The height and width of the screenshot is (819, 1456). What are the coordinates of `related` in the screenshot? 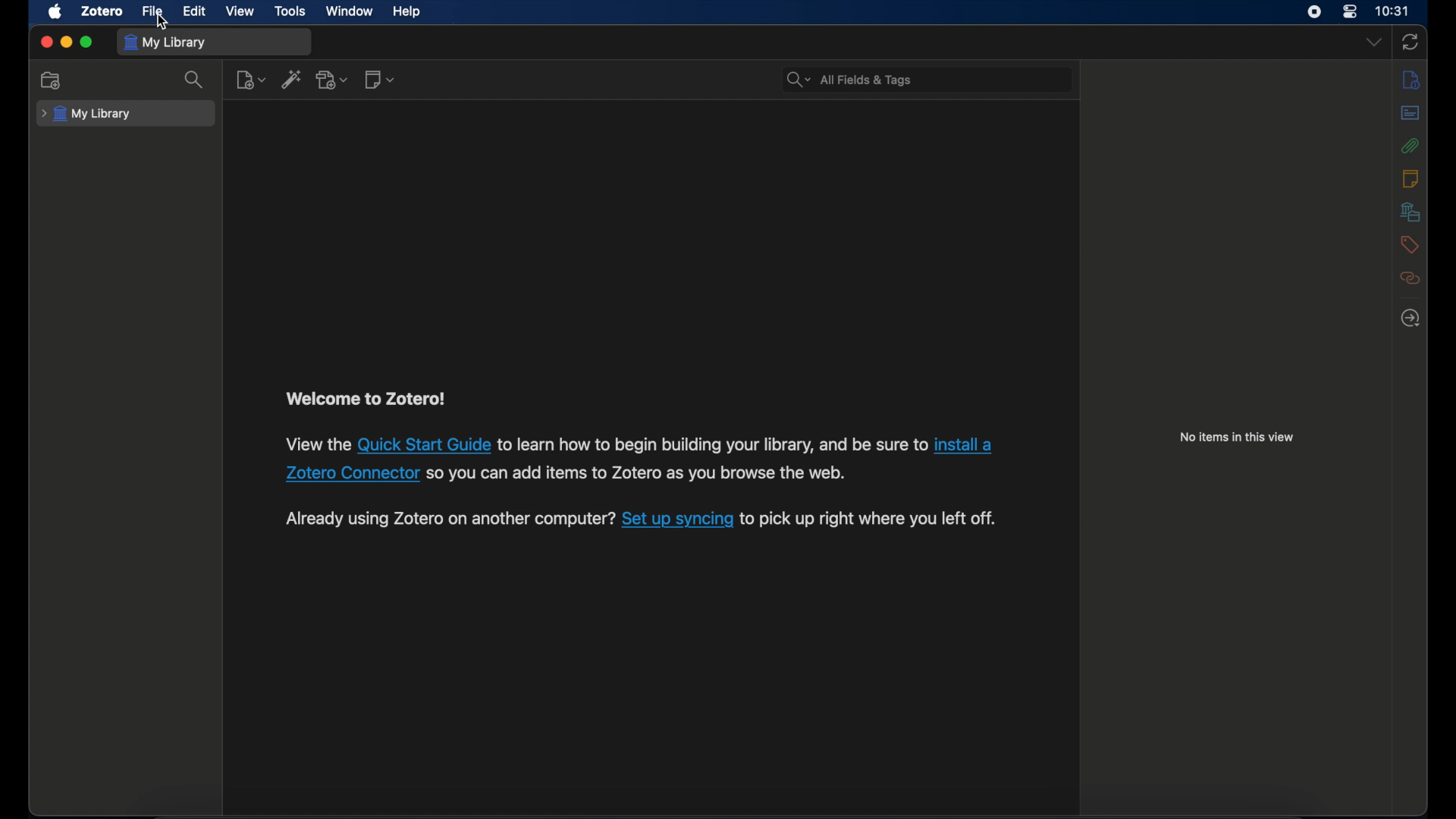 It's located at (1411, 278).